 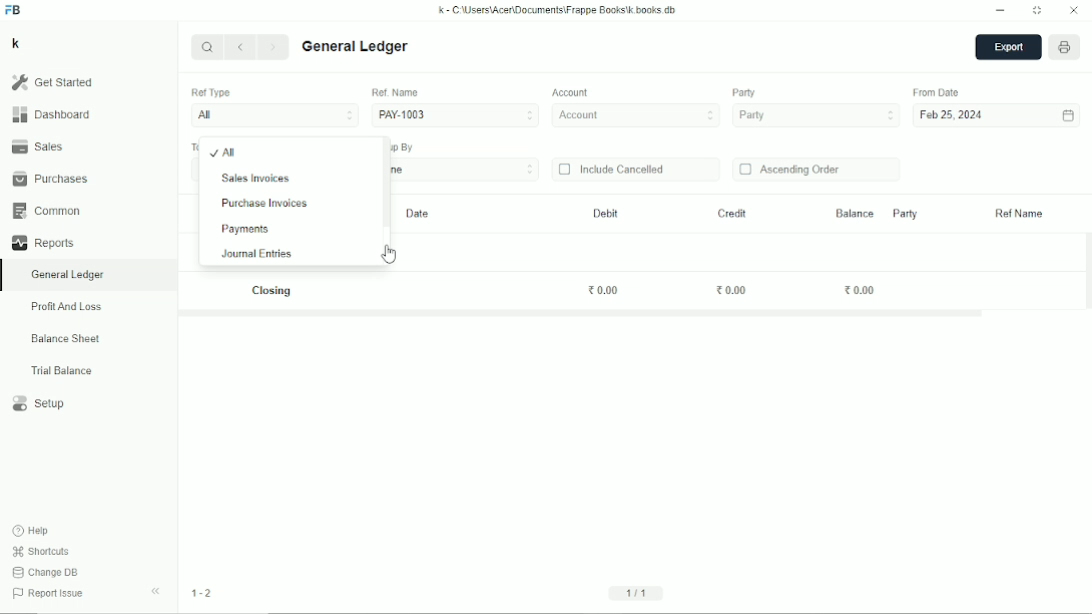 What do you see at coordinates (904, 213) in the screenshot?
I see `Party` at bounding box center [904, 213].